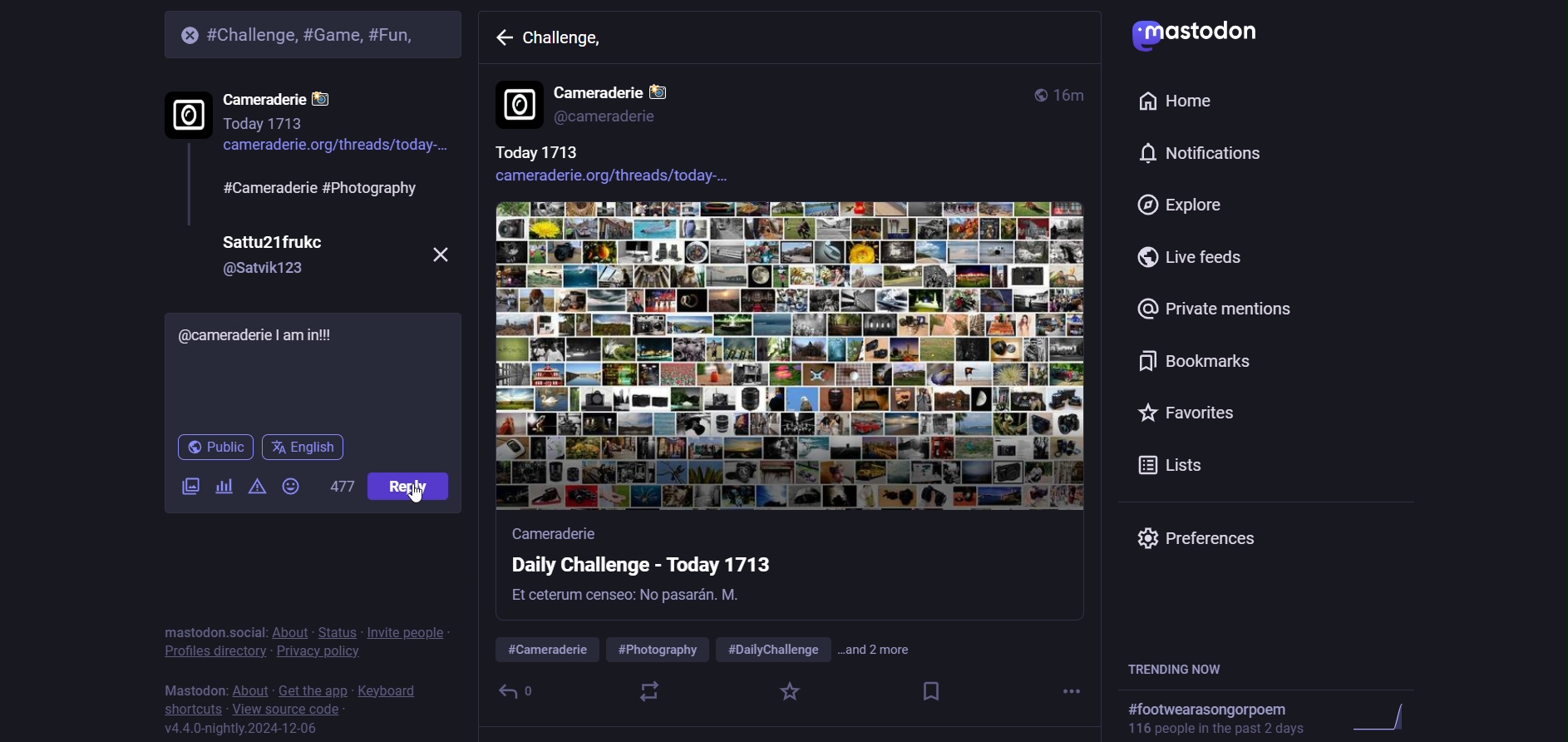 The width and height of the screenshot is (1568, 742). What do you see at coordinates (570, 44) in the screenshot?
I see `challenge` at bounding box center [570, 44].